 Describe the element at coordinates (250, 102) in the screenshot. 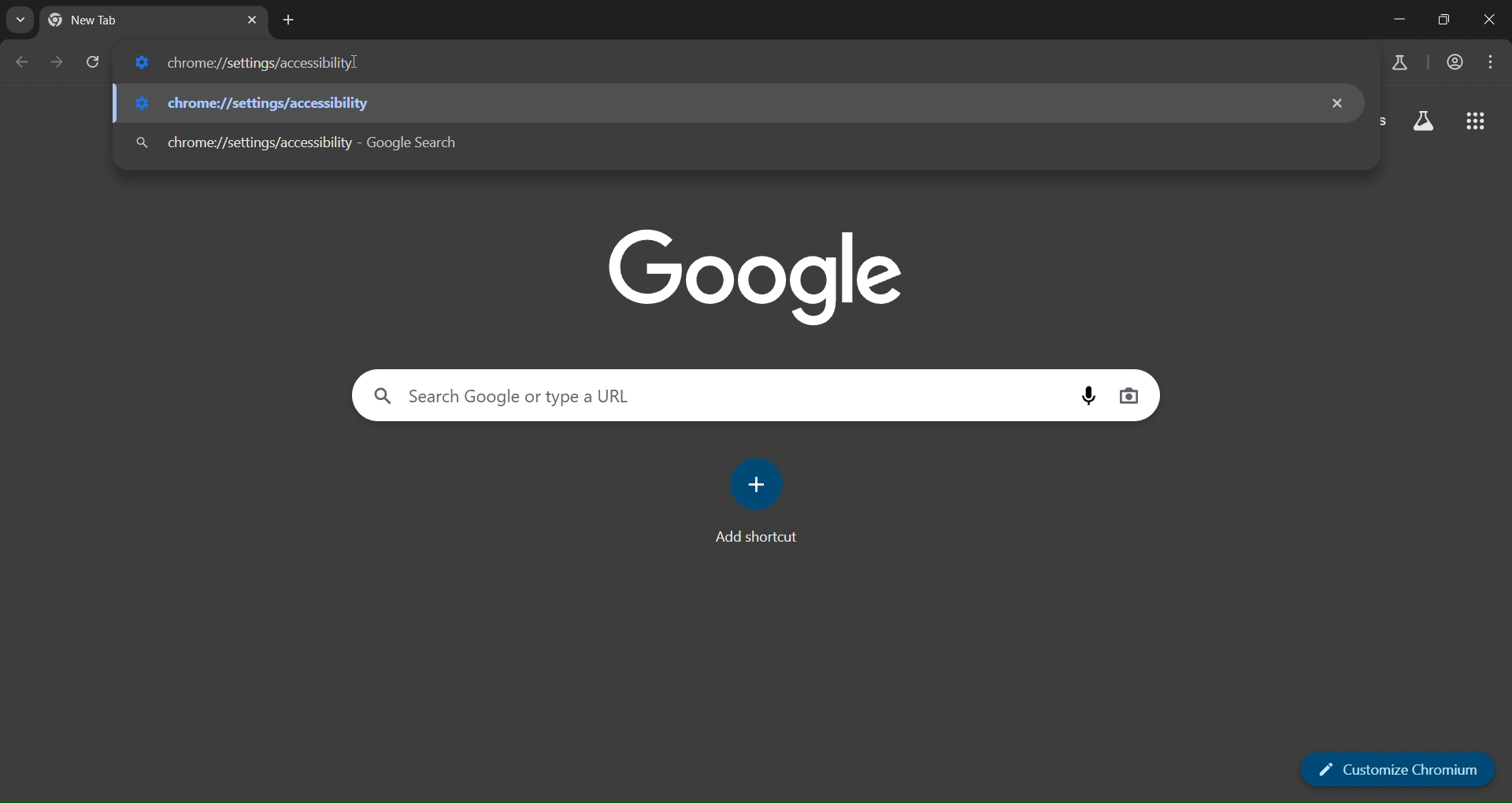

I see `chrome://settings/accessibility` at that location.